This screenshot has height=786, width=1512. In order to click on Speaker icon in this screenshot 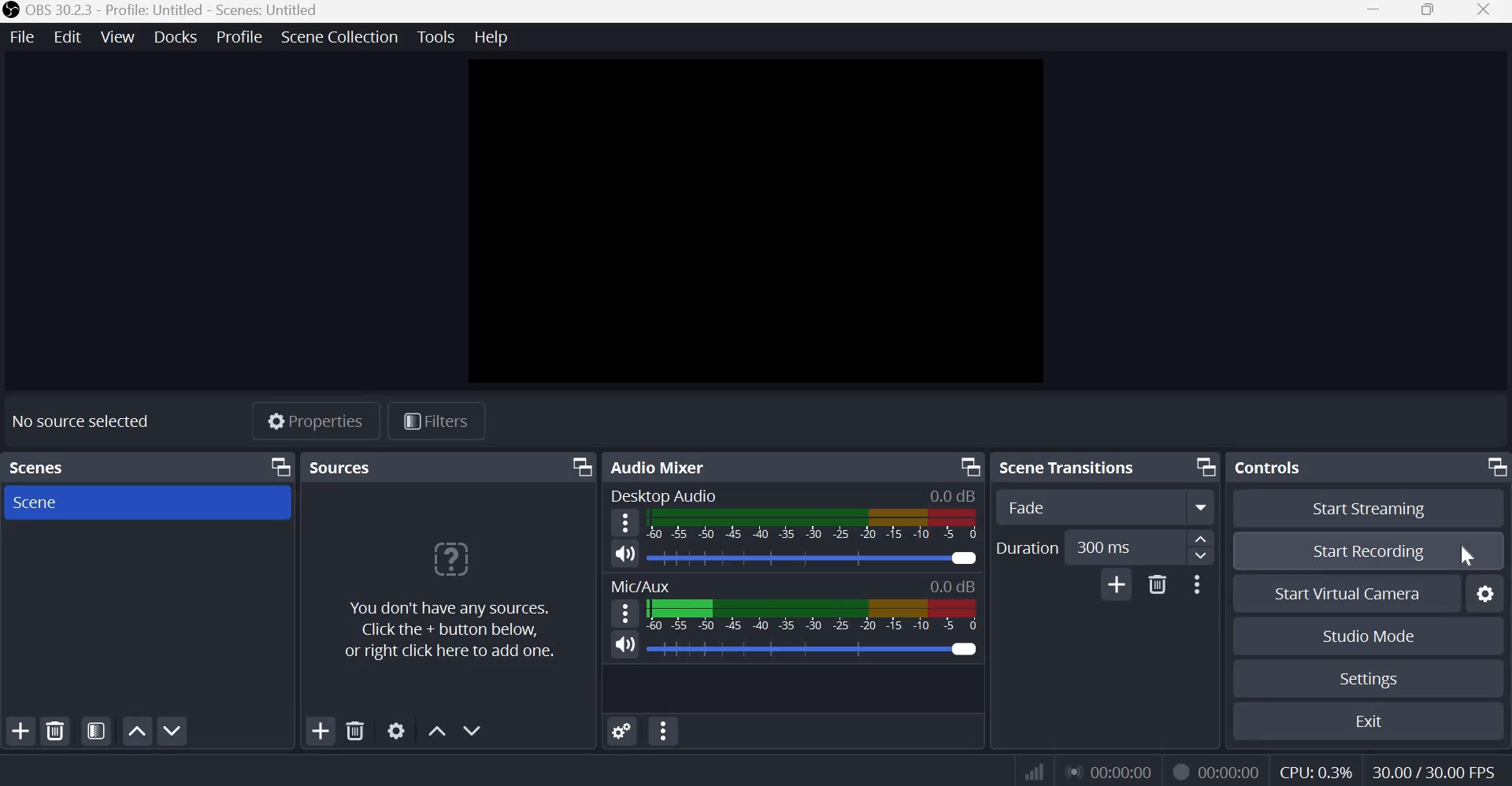, I will do `click(626, 644)`.